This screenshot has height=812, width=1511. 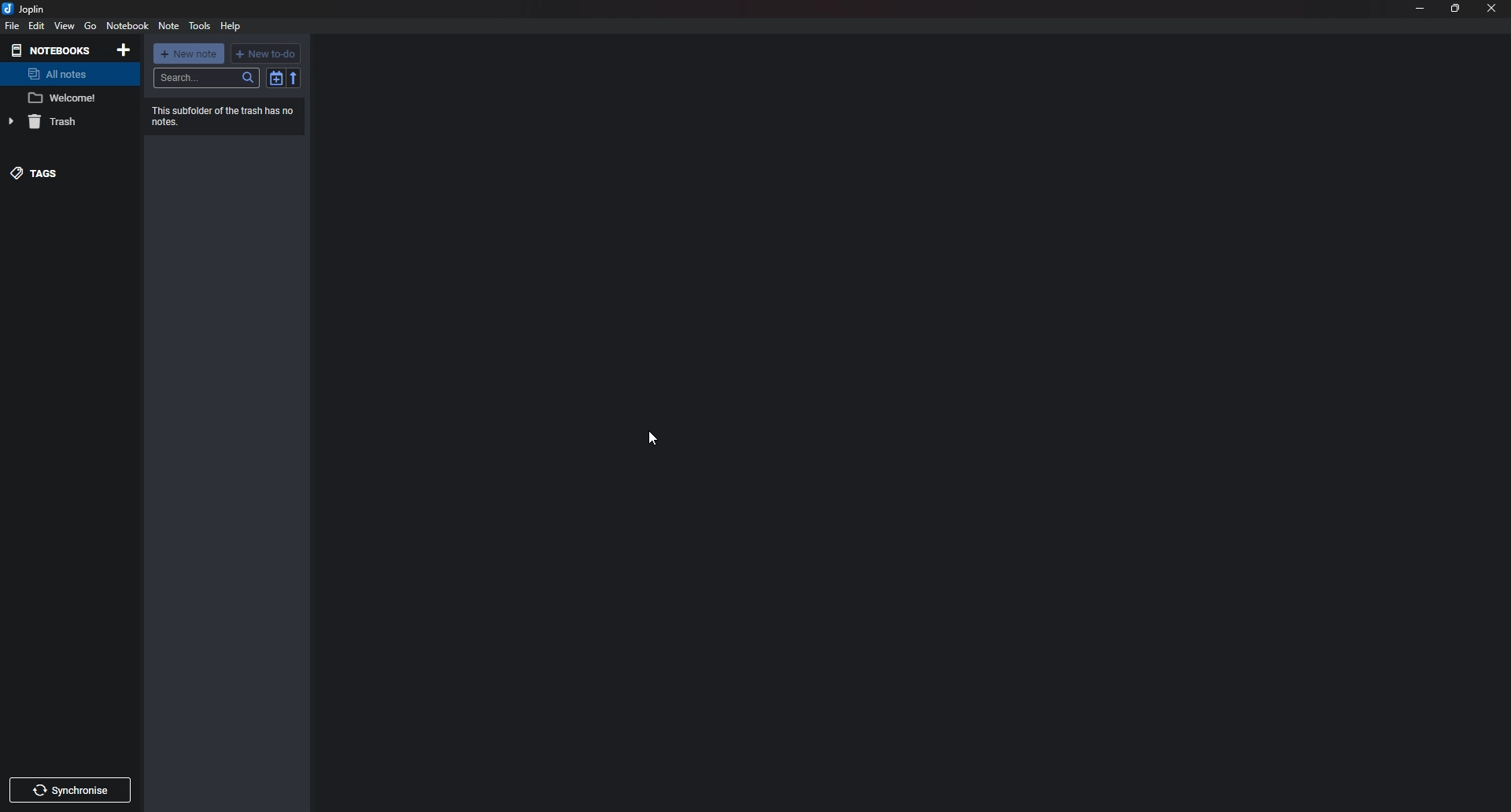 What do you see at coordinates (207, 78) in the screenshot?
I see `Search` at bounding box center [207, 78].